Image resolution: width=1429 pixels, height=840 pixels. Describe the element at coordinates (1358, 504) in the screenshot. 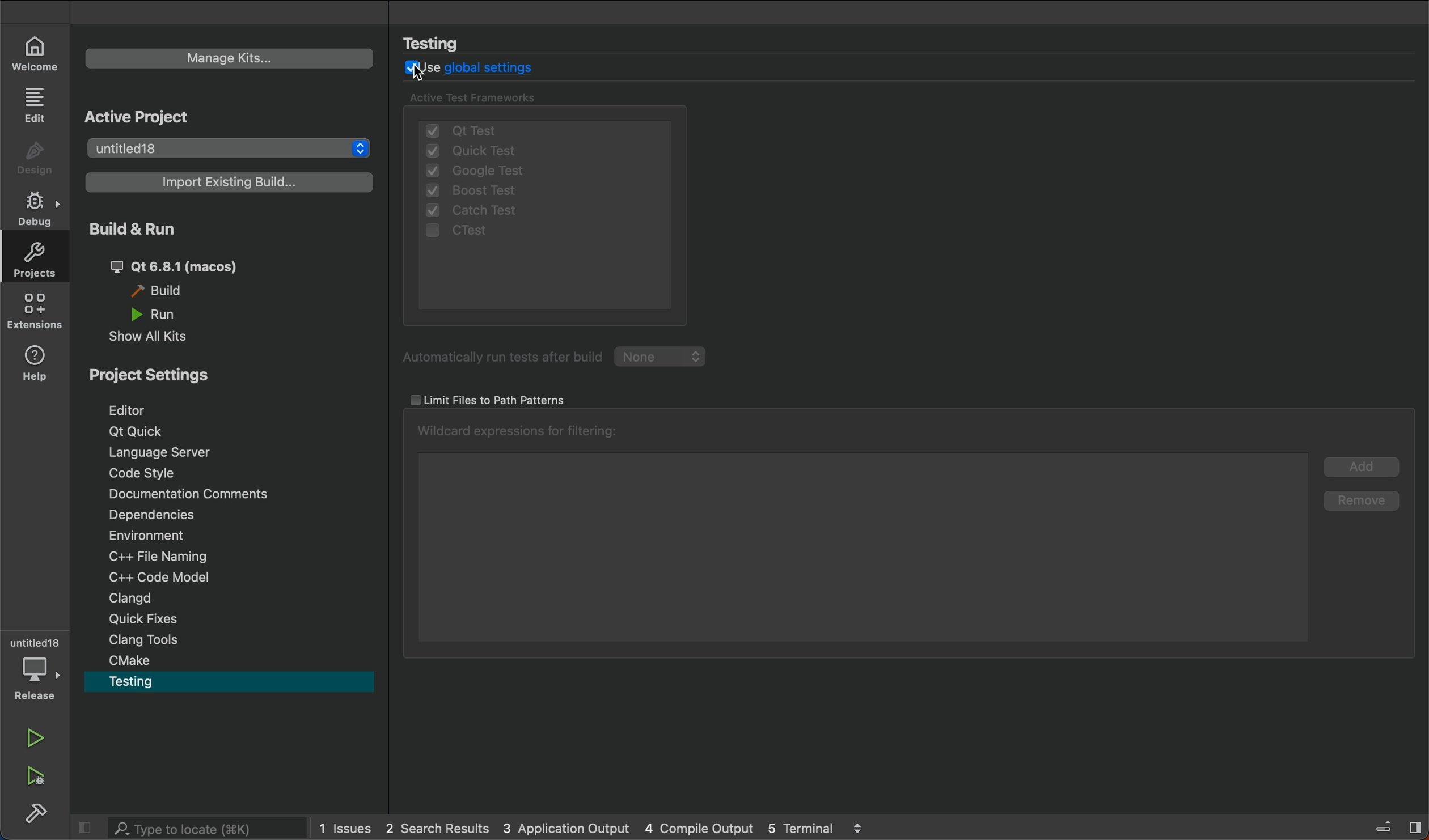

I see `remove` at that location.